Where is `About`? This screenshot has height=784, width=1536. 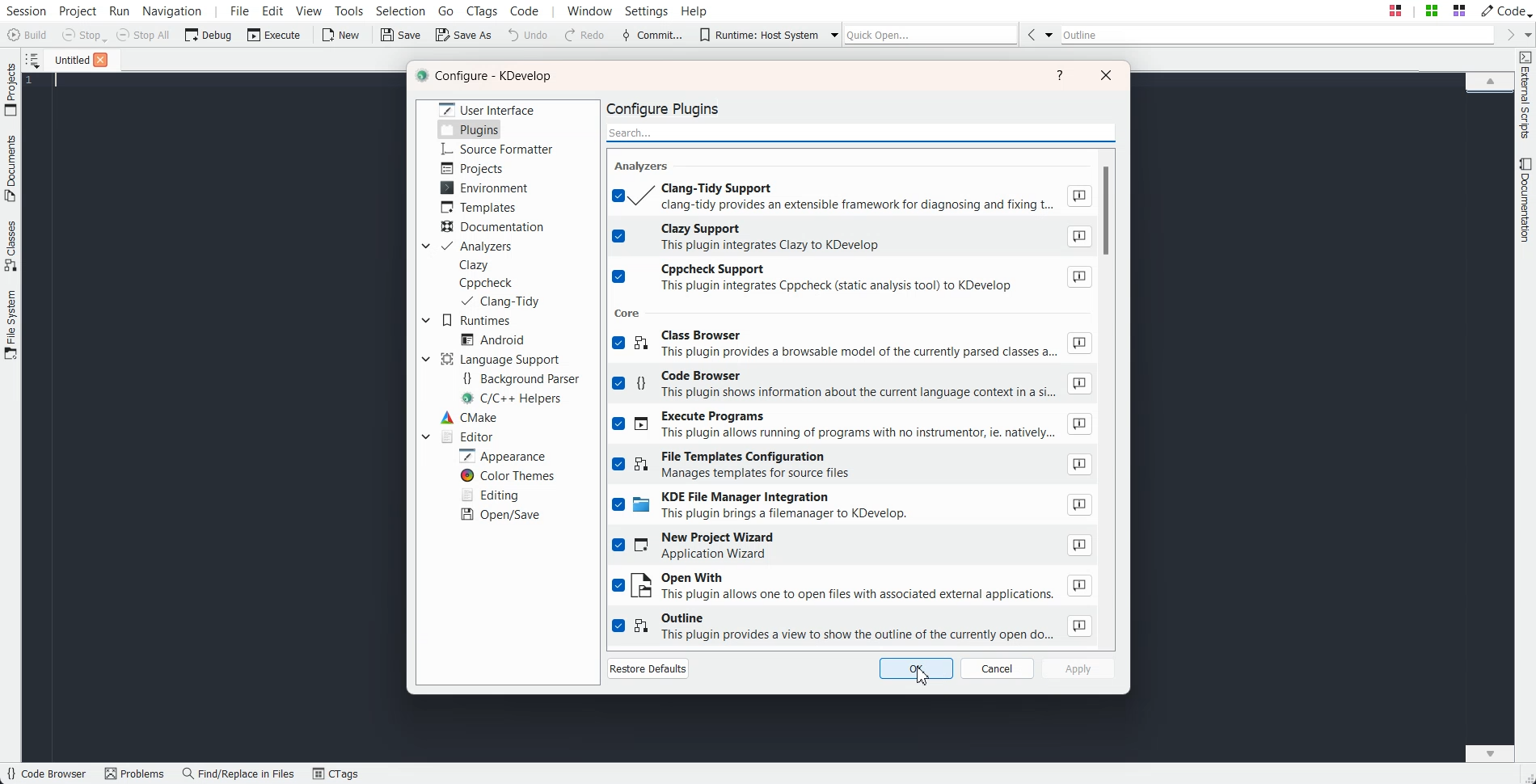 About is located at coordinates (1078, 196).